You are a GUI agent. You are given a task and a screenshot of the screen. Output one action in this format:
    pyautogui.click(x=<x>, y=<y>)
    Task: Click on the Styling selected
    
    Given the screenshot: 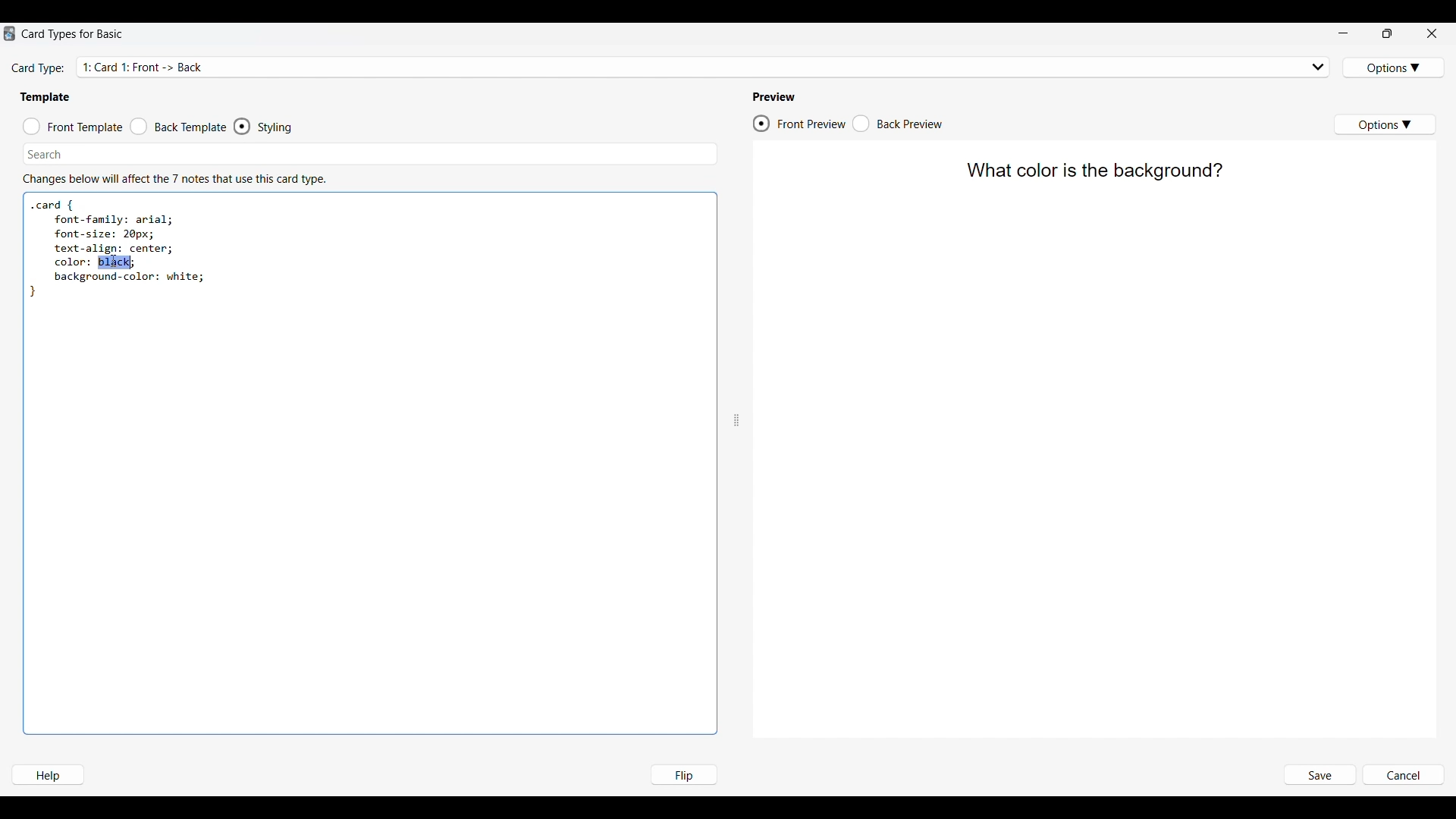 What is the action you would take?
    pyautogui.click(x=243, y=126)
    